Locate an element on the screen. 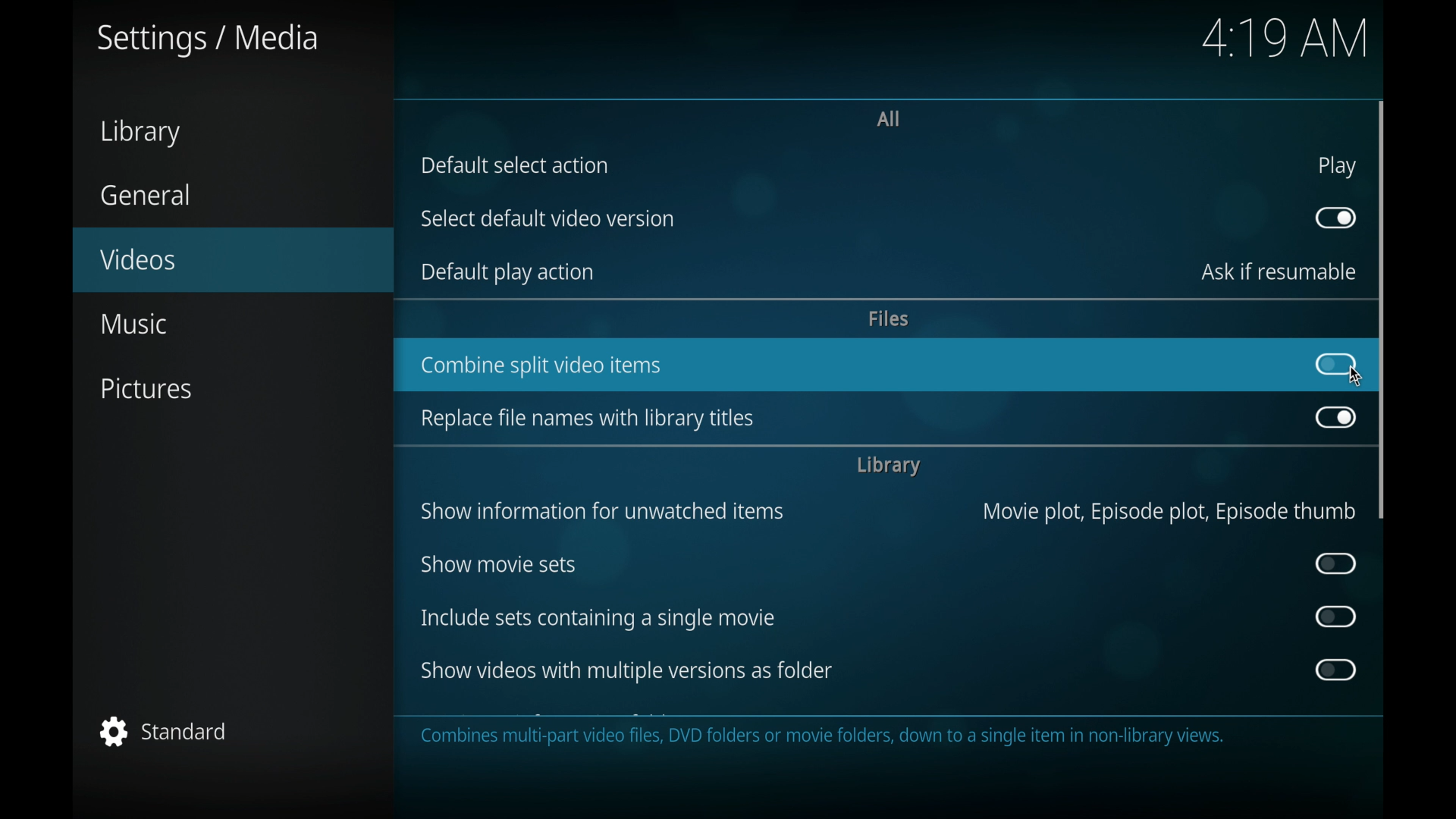  videos is located at coordinates (233, 260).